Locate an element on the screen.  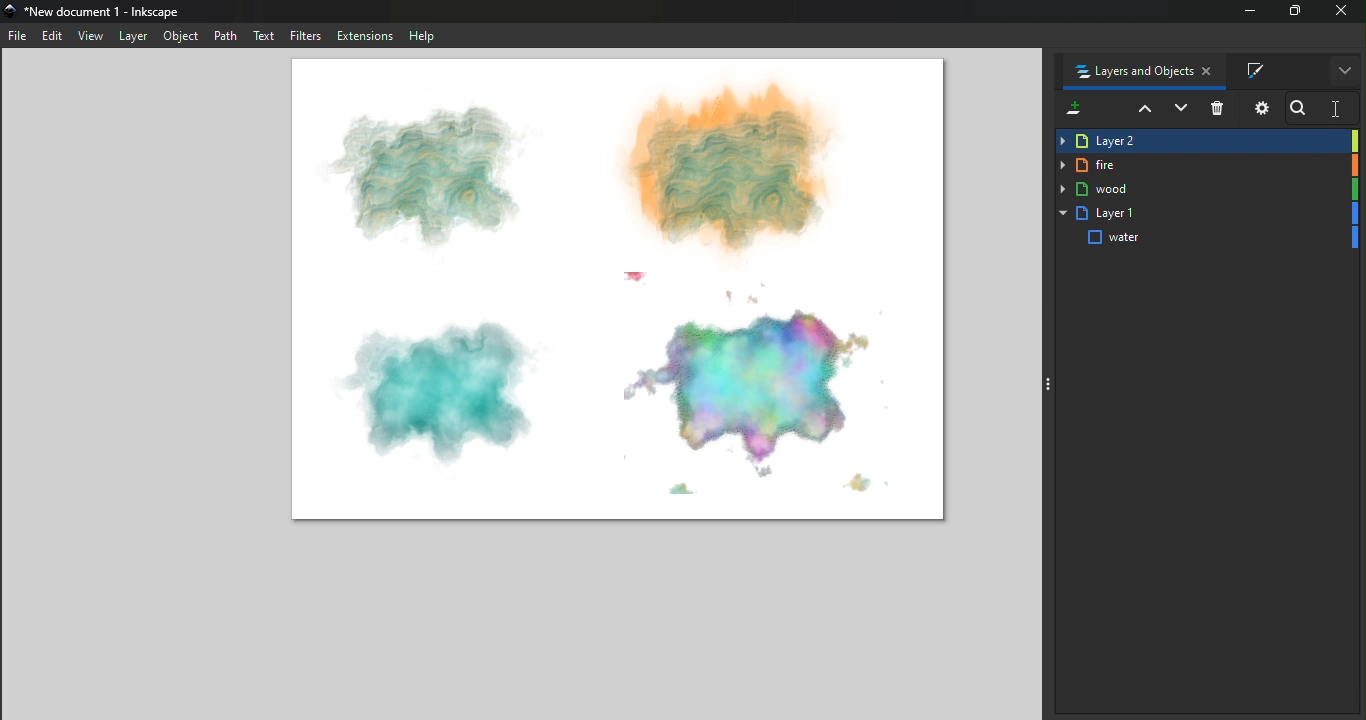
Raise selection on step is located at coordinates (1141, 109).